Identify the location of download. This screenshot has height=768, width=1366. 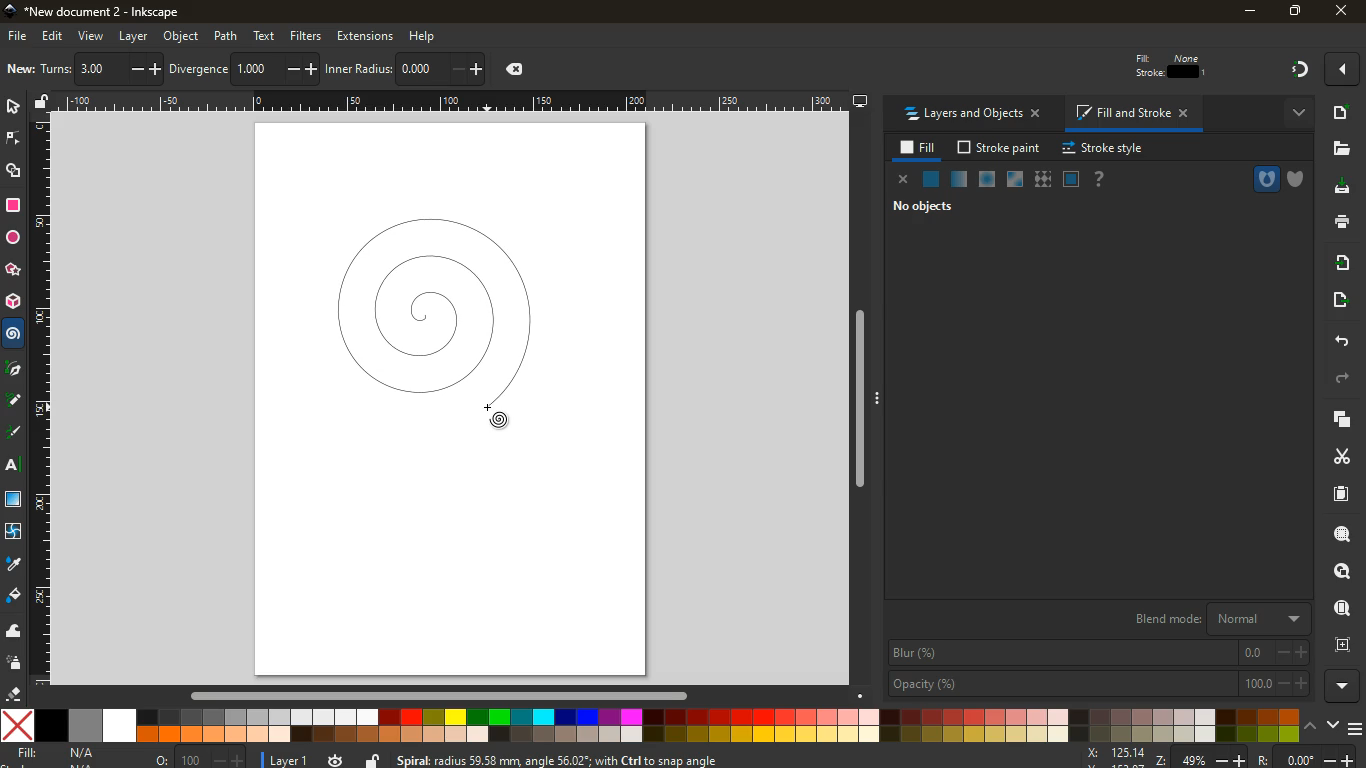
(1344, 189).